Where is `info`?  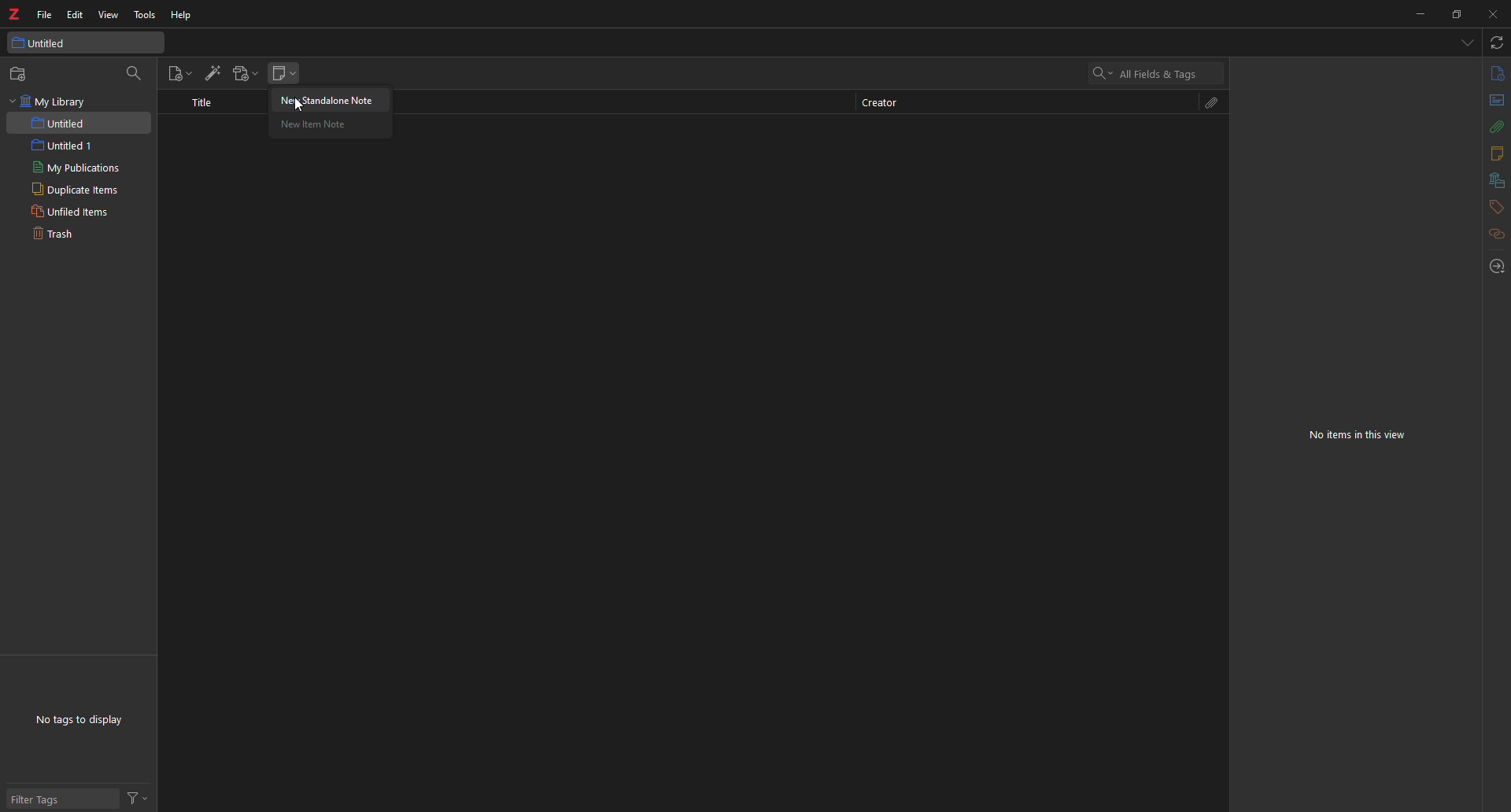 info is located at coordinates (1495, 72).